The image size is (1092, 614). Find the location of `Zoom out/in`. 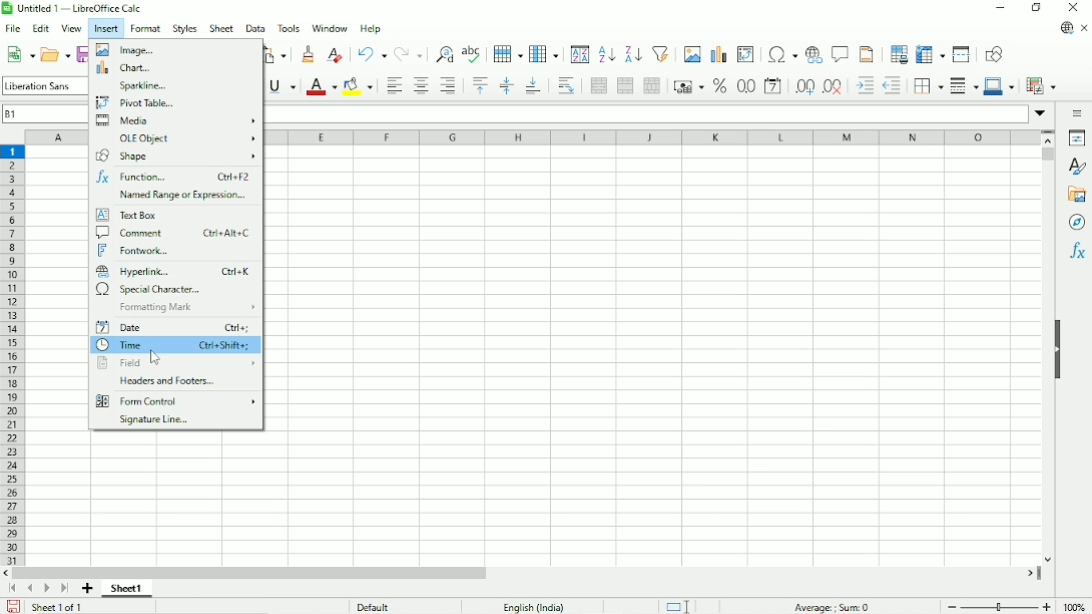

Zoom out/in is located at coordinates (1000, 604).